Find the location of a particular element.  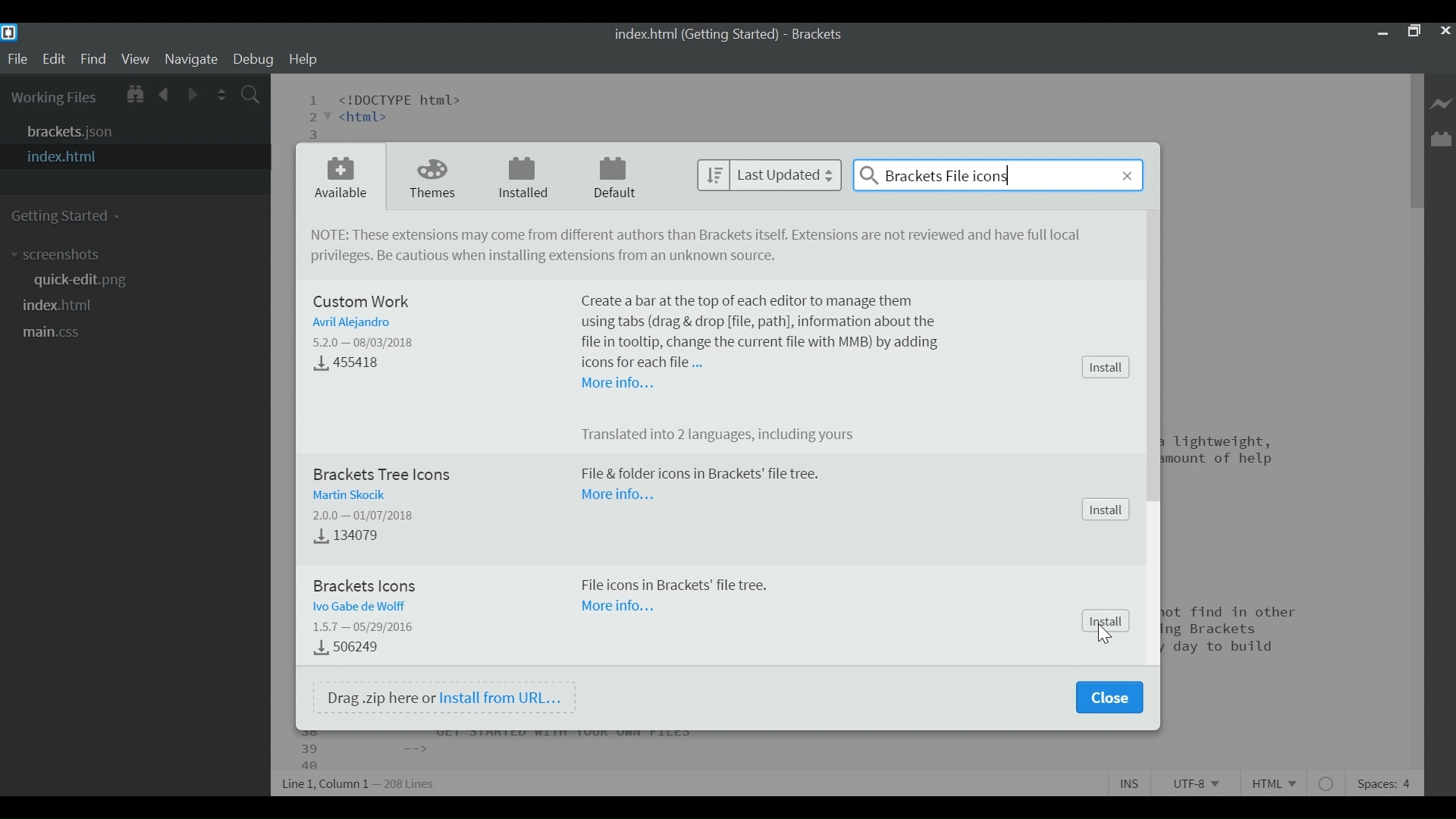

Restore is located at coordinates (1414, 33).